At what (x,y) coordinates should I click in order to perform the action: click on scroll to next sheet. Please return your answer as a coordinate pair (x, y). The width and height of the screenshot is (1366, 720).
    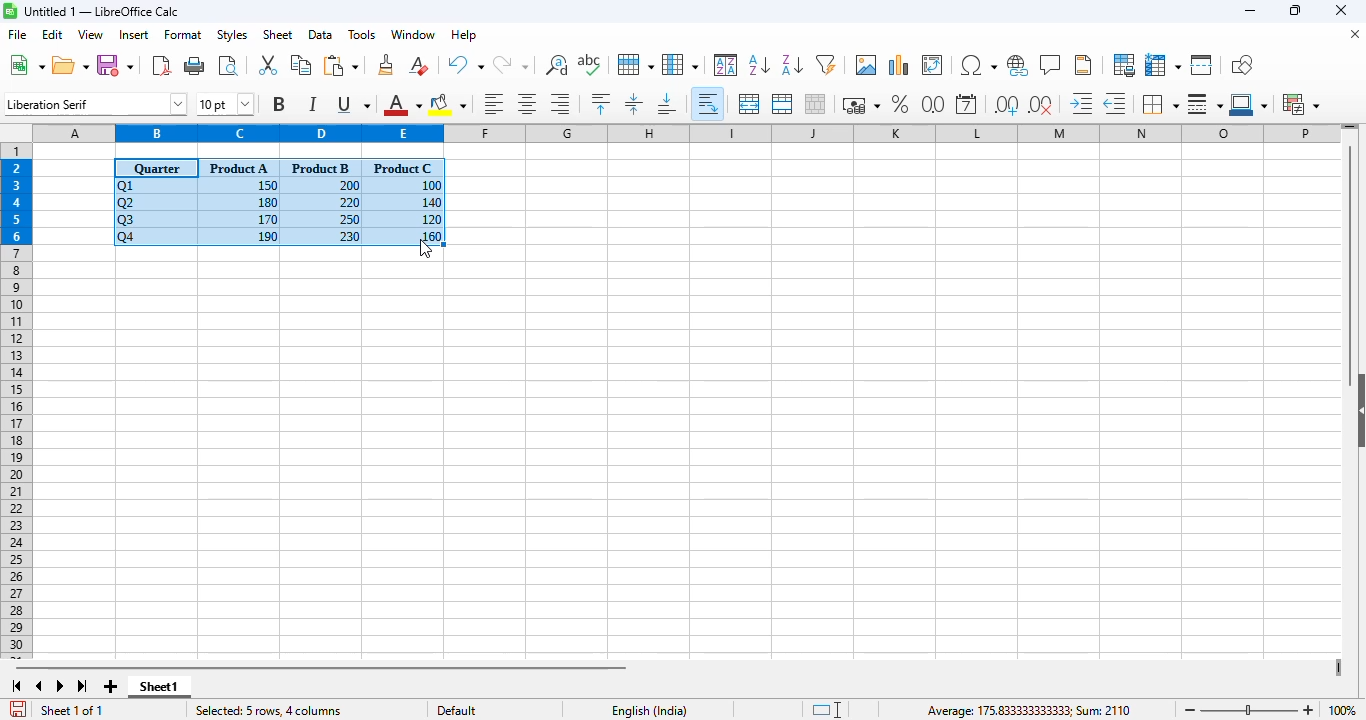
    Looking at the image, I should click on (60, 686).